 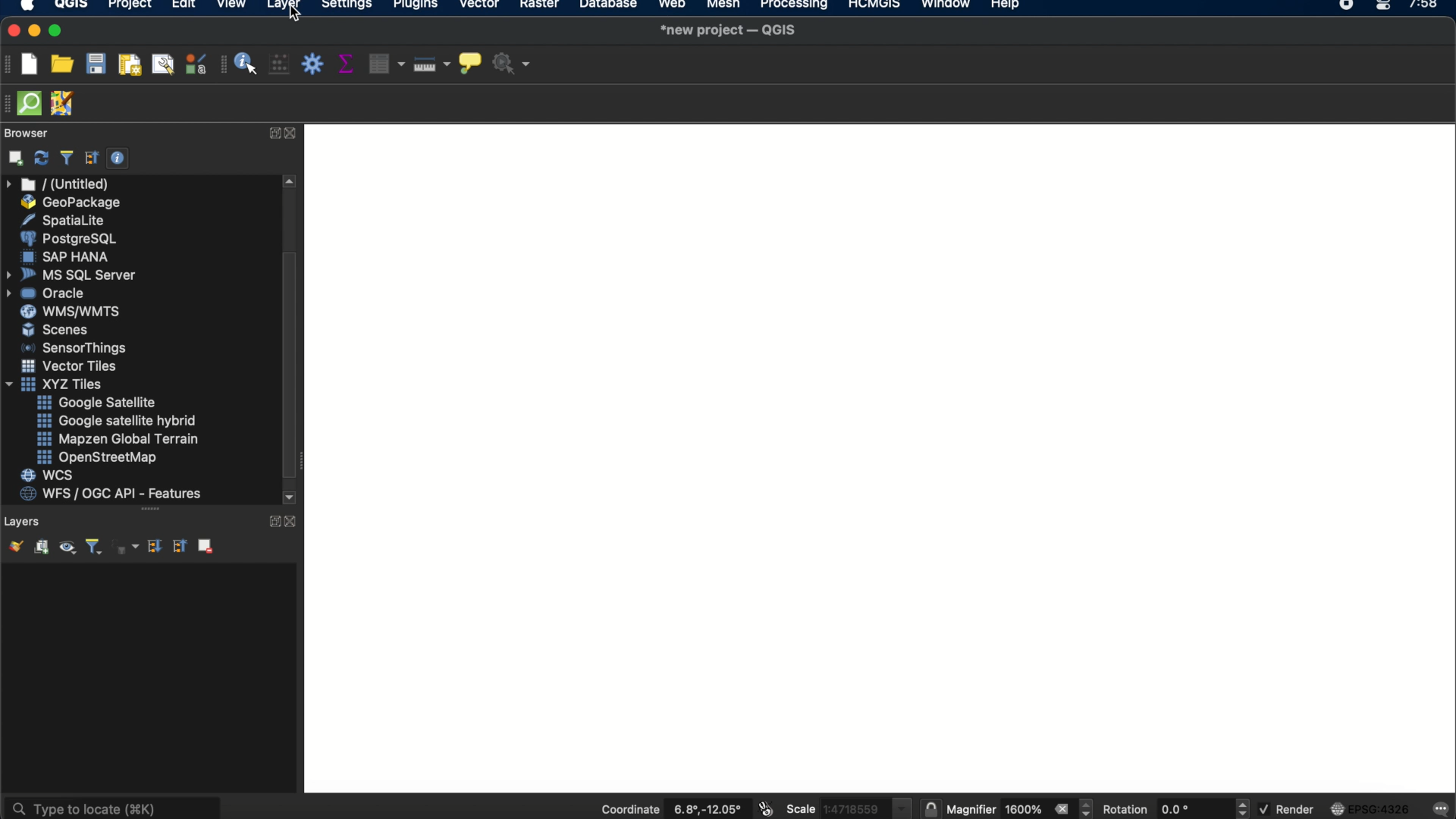 I want to click on wfs/ogc api- features, so click(x=111, y=494).